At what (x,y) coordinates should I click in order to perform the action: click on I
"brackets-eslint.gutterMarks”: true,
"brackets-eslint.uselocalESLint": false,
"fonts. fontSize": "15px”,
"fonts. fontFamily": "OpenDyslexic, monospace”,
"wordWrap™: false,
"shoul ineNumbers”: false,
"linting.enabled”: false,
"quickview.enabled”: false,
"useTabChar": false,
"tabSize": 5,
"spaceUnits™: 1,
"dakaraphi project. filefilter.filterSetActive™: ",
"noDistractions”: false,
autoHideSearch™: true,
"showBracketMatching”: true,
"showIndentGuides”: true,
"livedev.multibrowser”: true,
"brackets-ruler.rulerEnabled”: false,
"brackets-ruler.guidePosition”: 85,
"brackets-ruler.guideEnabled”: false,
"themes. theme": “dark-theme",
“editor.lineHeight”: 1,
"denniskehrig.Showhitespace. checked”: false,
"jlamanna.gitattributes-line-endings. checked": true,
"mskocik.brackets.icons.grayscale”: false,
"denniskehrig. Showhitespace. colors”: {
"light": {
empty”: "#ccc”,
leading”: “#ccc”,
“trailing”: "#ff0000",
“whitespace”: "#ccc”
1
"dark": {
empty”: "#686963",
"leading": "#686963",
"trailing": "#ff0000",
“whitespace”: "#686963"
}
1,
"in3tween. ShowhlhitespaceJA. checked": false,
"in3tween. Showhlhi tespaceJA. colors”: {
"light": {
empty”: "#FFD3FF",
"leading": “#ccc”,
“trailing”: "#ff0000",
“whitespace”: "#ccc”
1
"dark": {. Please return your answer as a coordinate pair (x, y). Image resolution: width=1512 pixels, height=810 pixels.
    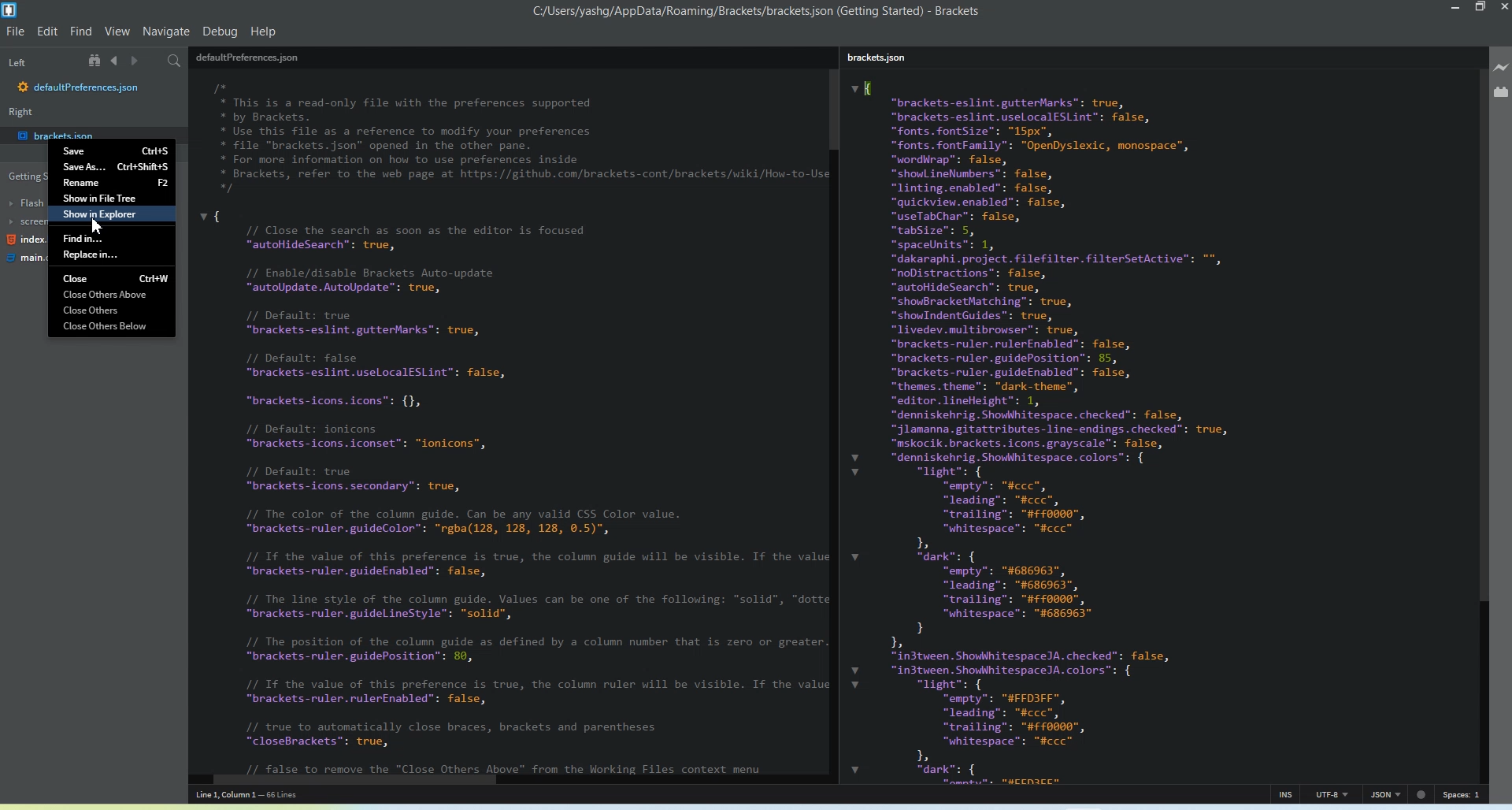
    Looking at the image, I should click on (1156, 430).